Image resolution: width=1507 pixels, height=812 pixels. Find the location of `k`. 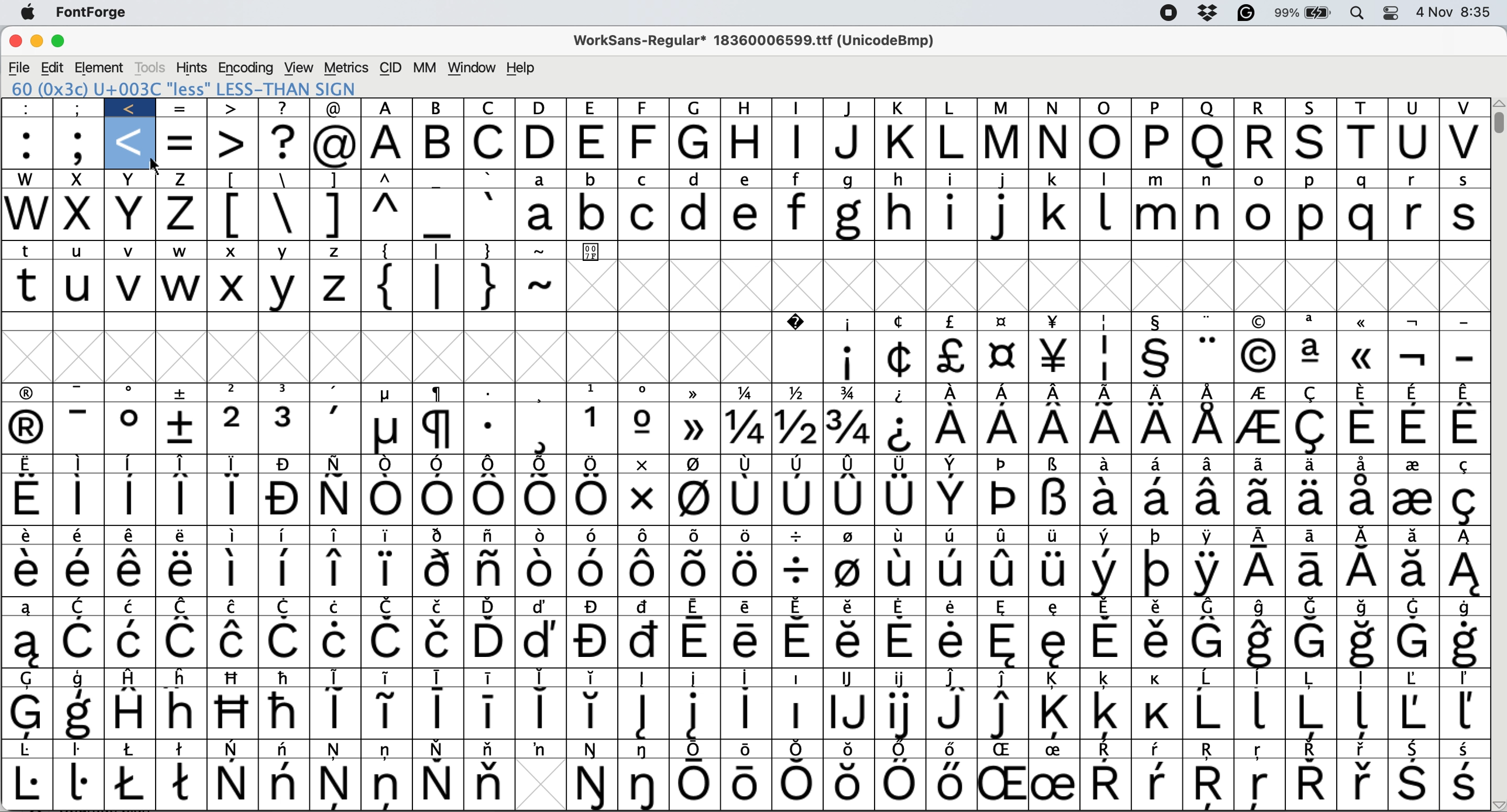

k is located at coordinates (902, 144).